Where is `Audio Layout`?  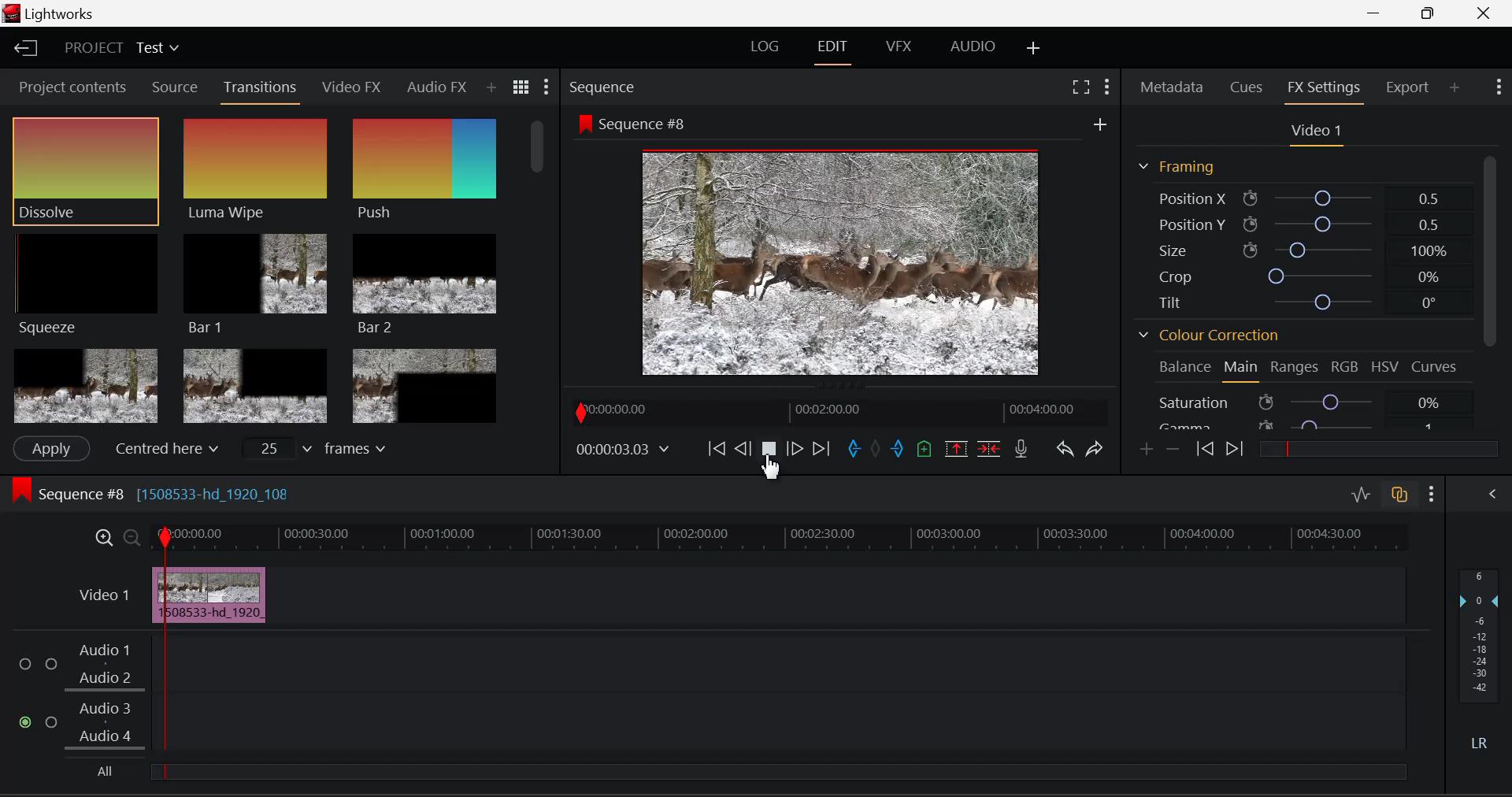 Audio Layout is located at coordinates (969, 50).